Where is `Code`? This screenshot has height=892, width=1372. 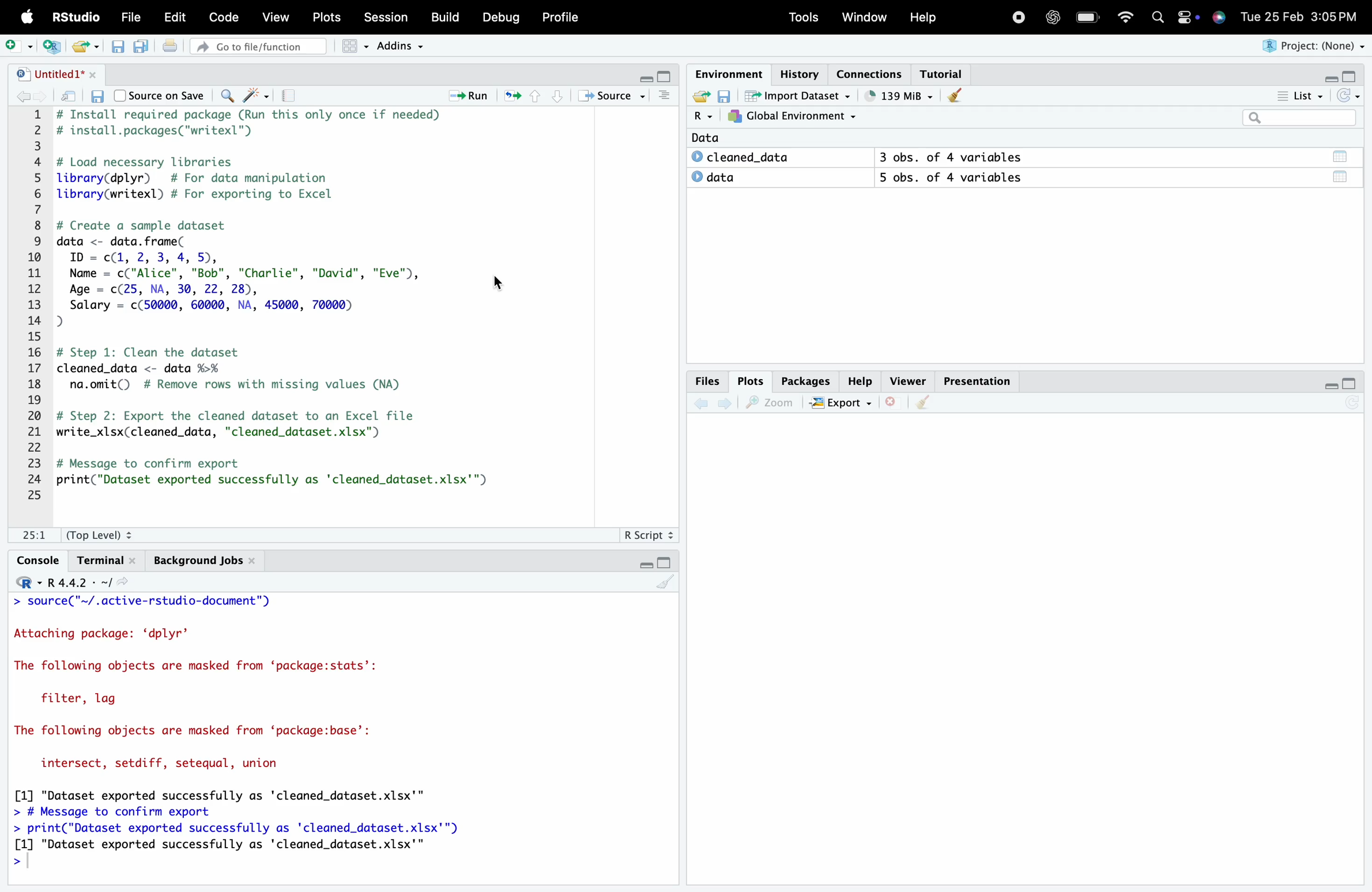
Code is located at coordinates (225, 17).